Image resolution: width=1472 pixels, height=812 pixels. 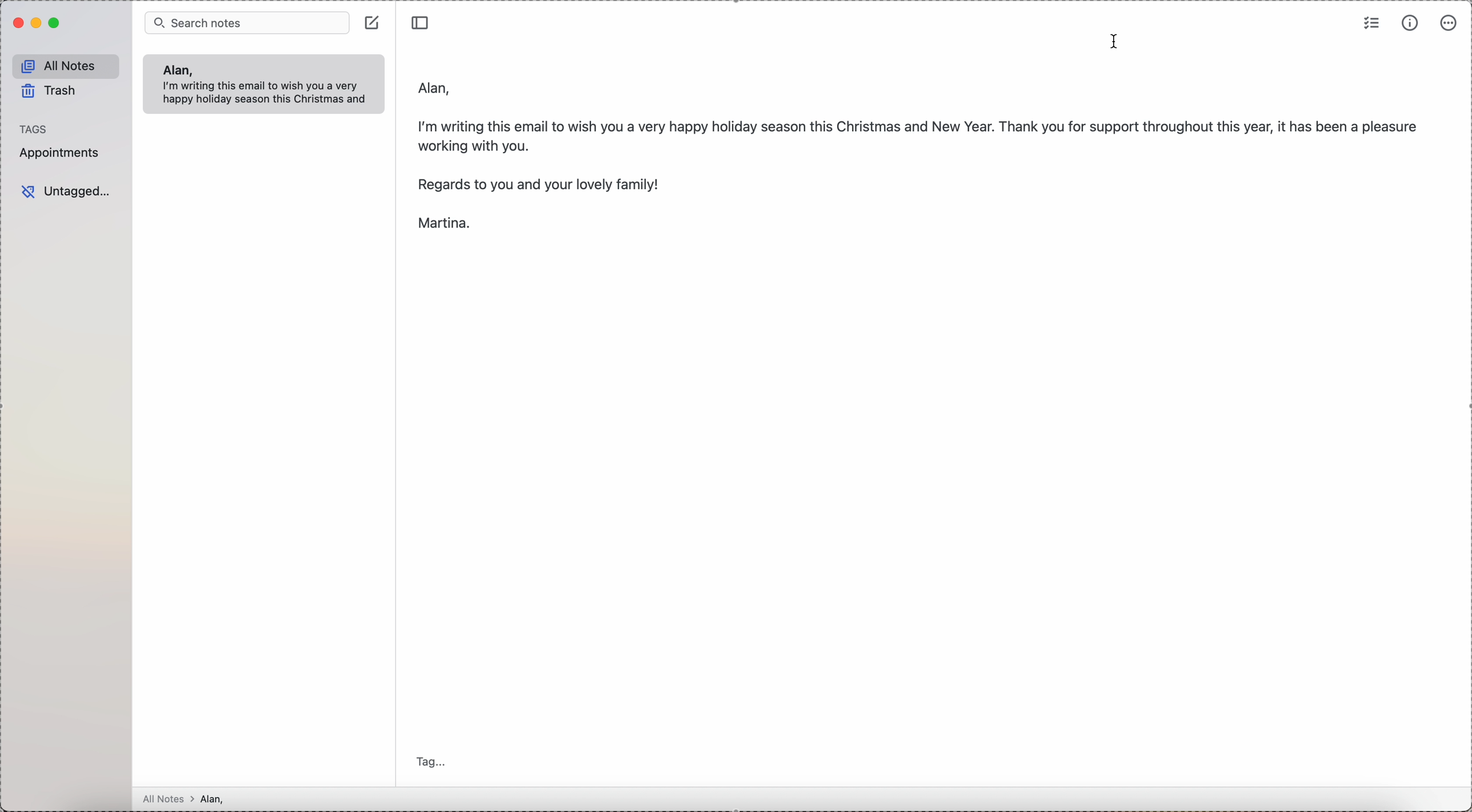 What do you see at coordinates (435, 87) in the screenshot?
I see `Alan,` at bounding box center [435, 87].